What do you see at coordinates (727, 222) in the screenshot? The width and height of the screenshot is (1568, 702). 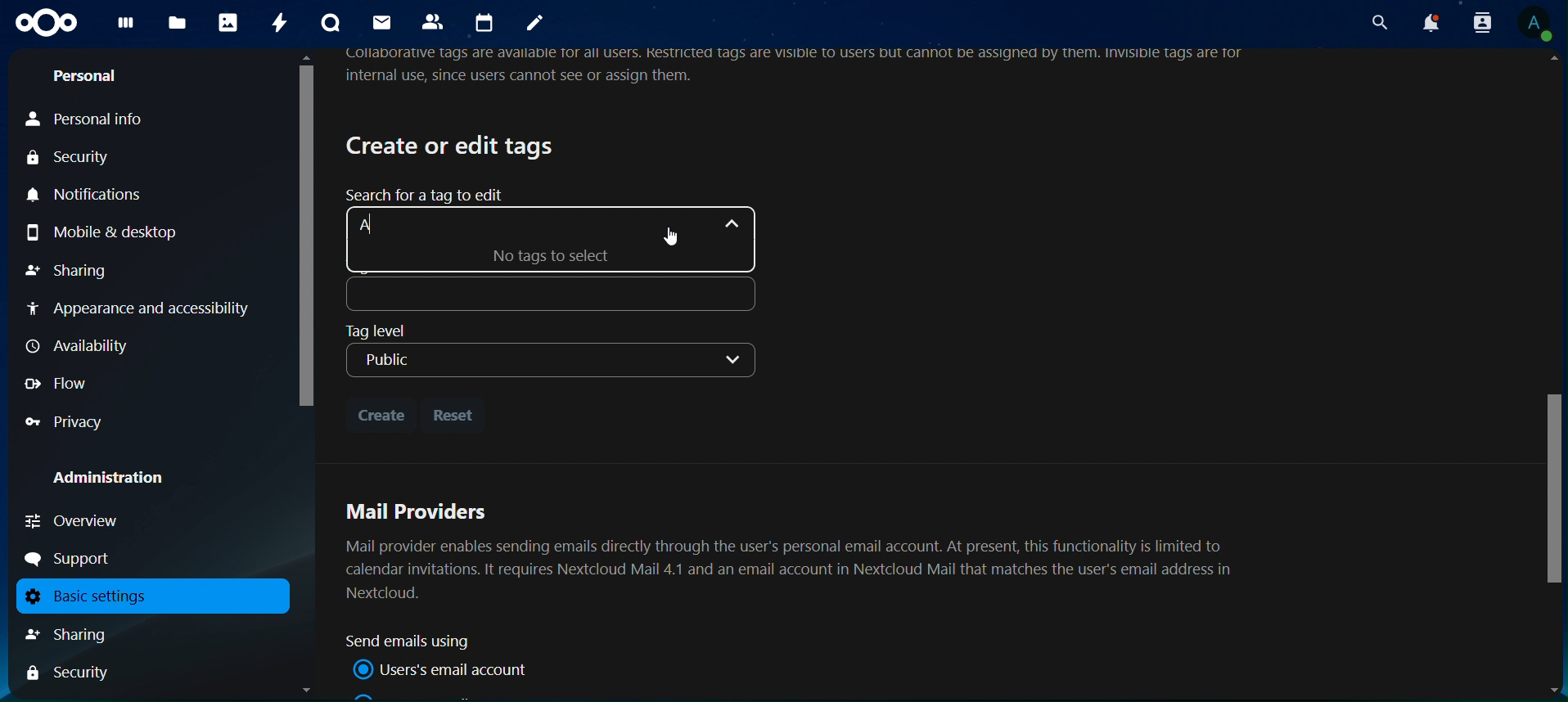 I see `Arrow up` at bounding box center [727, 222].